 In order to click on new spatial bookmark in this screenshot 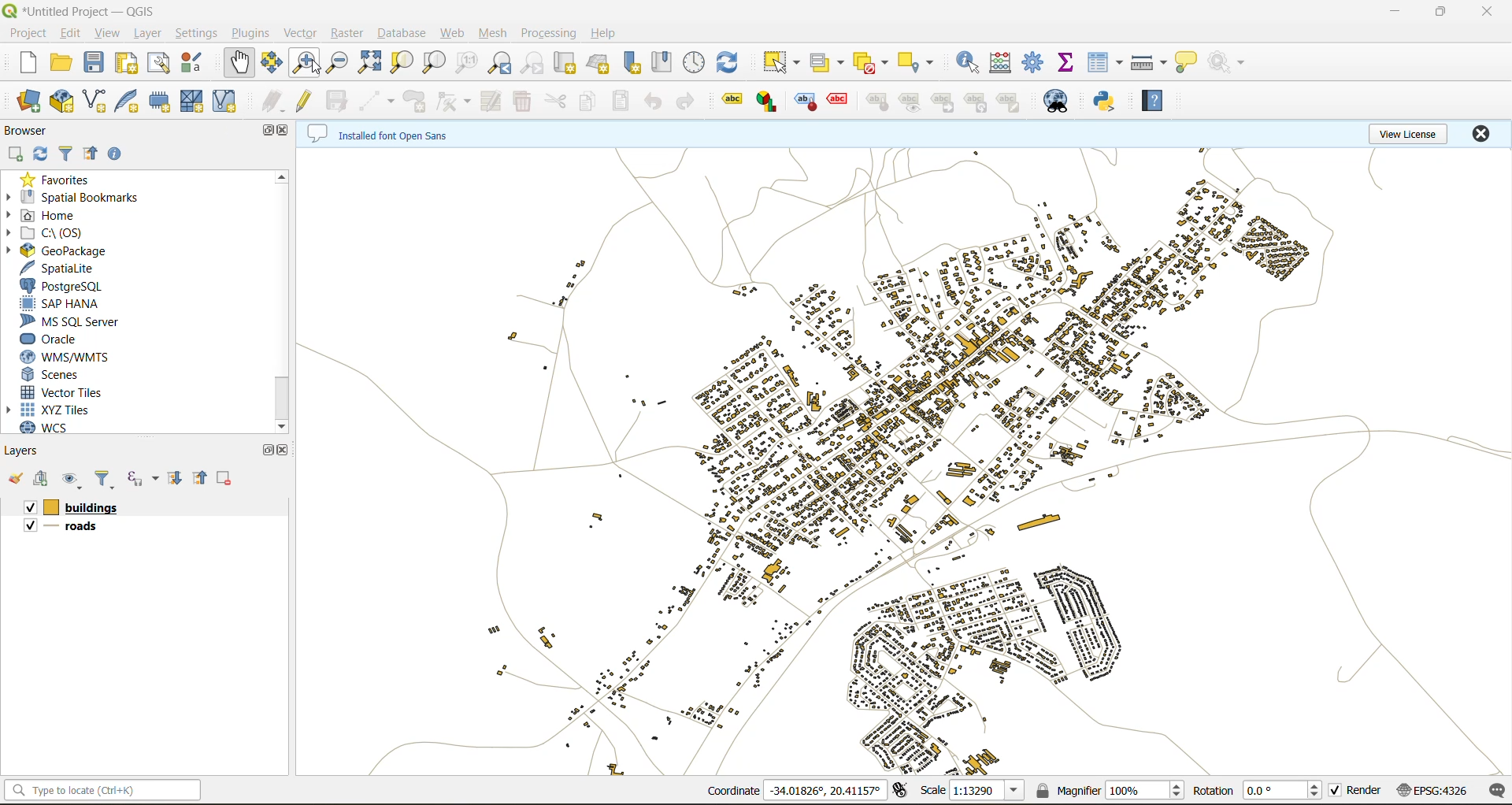, I will do `click(634, 65)`.